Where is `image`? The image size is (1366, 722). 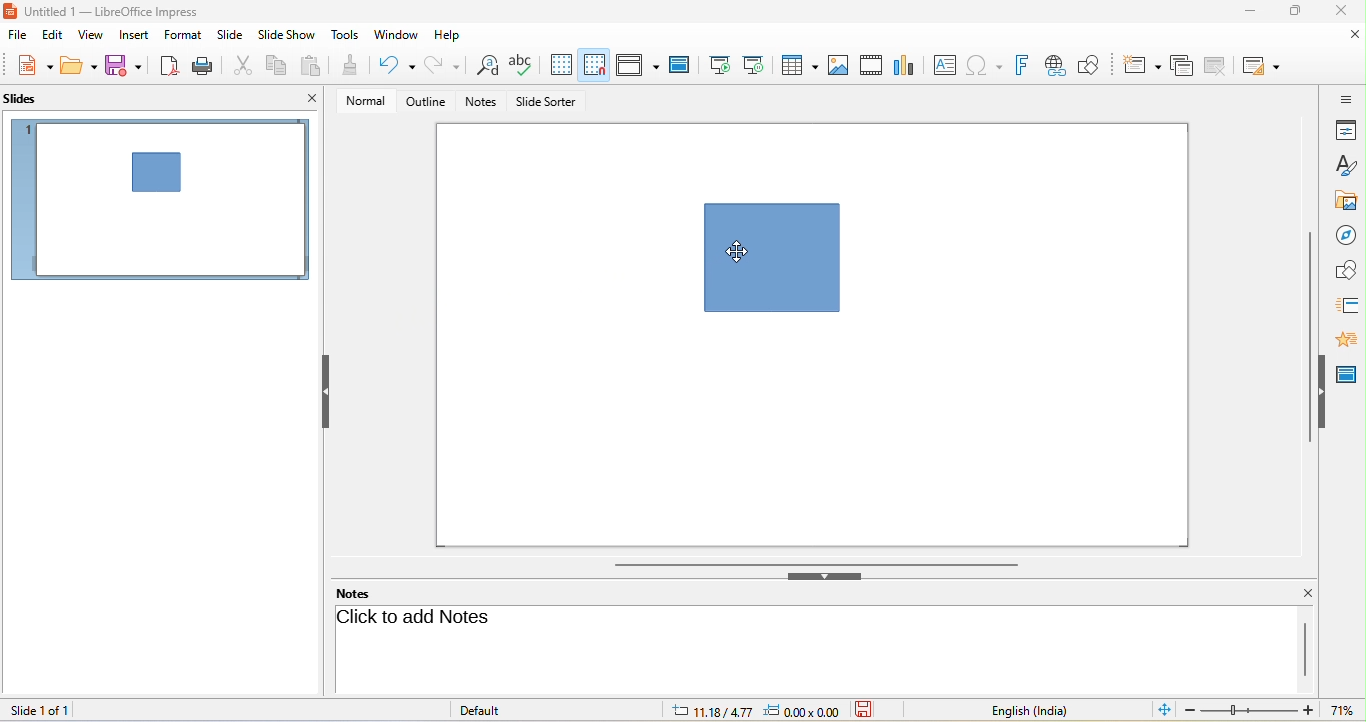 image is located at coordinates (837, 64).